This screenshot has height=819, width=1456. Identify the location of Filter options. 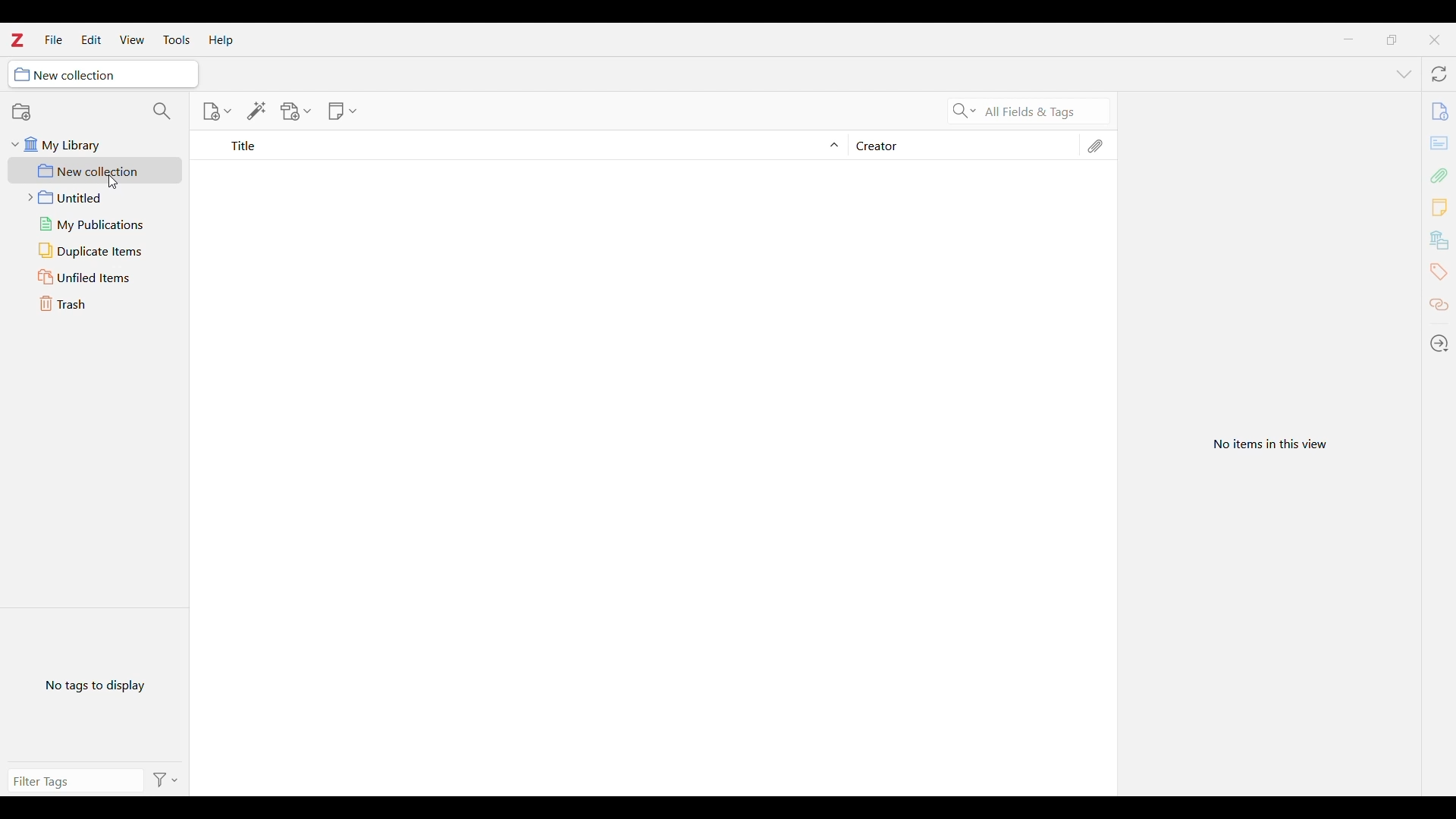
(165, 781).